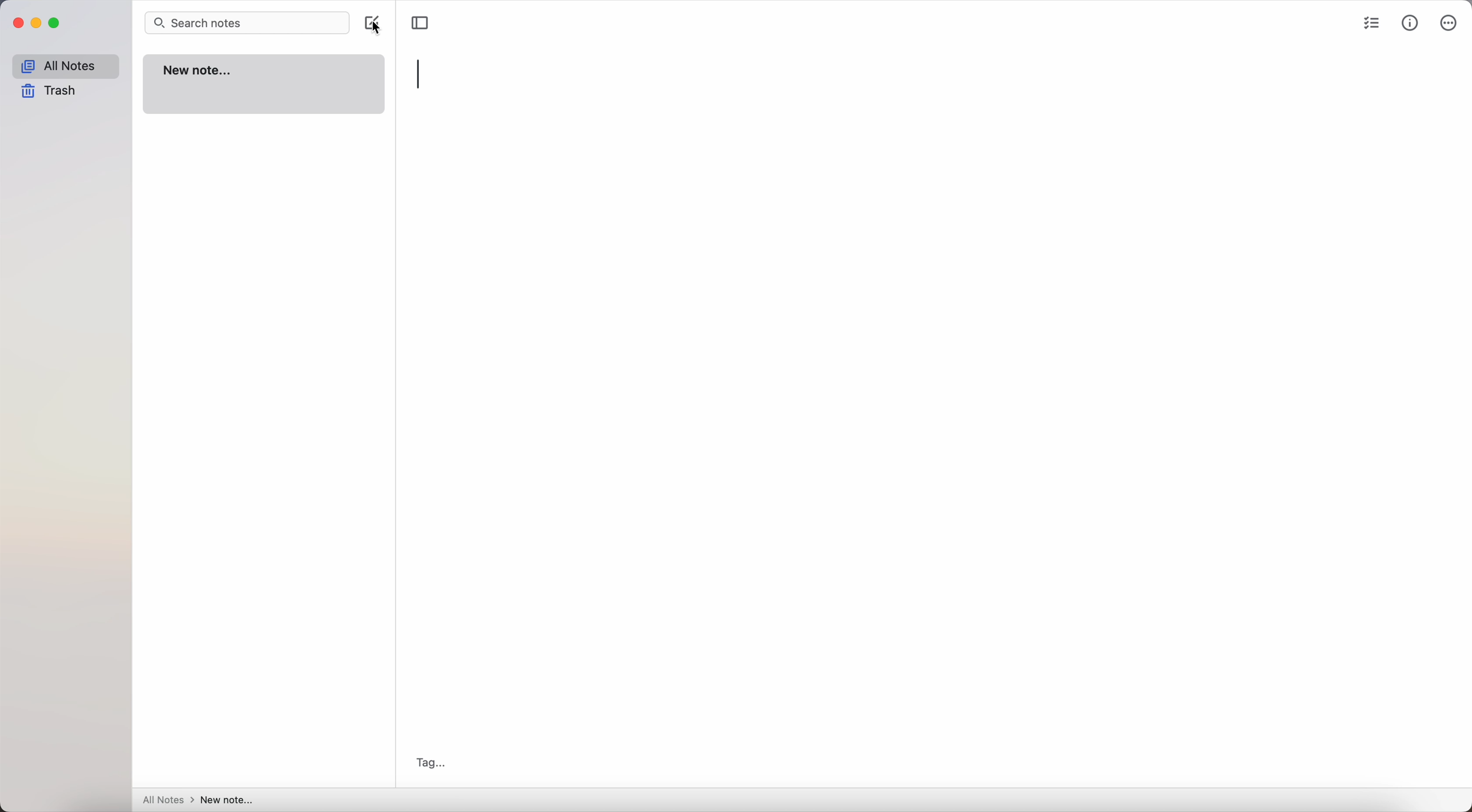 The image size is (1472, 812). What do you see at coordinates (195, 799) in the screenshot?
I see `all notes > new note...` at bounding box center [195, 799].